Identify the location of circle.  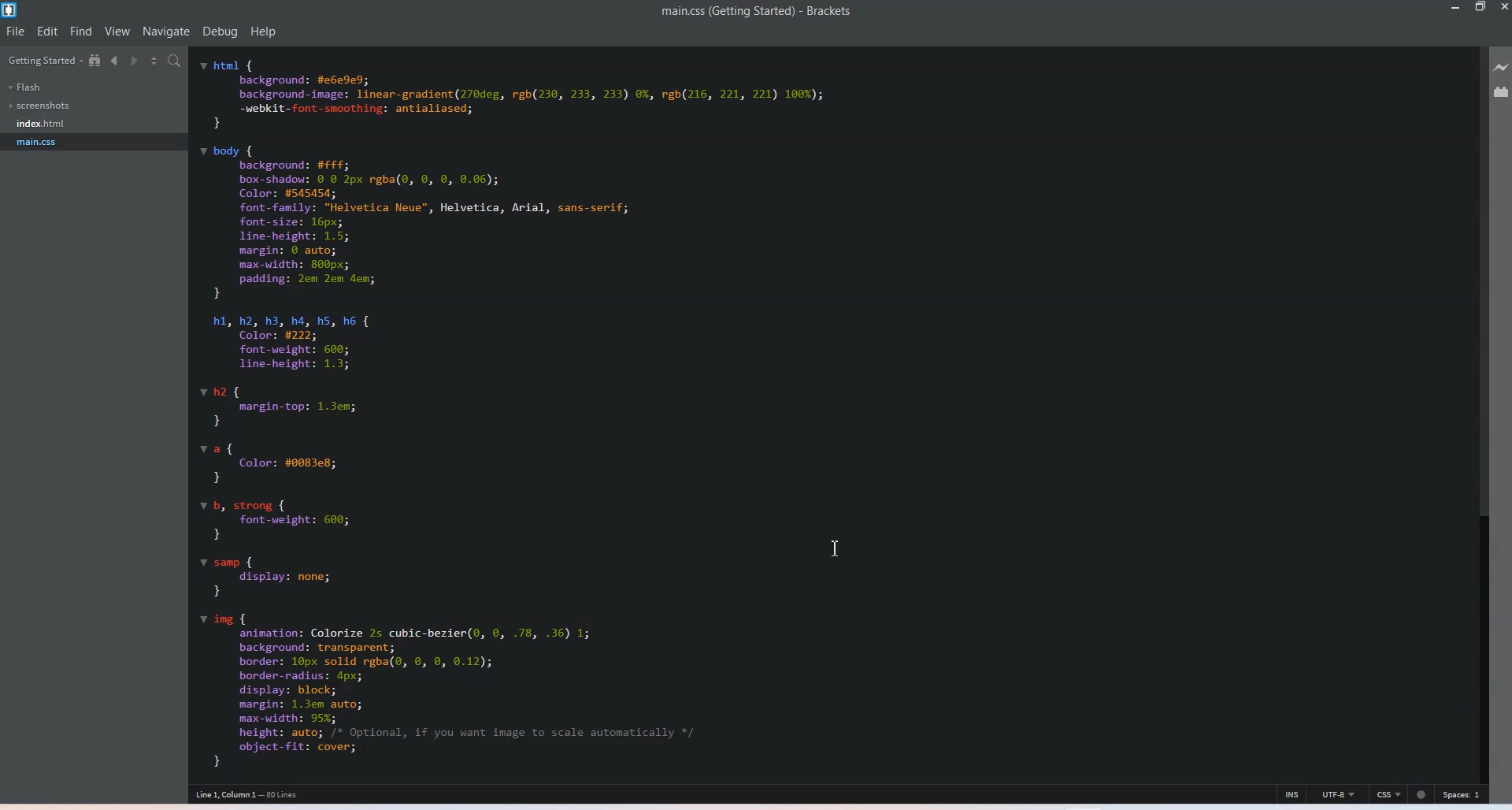
(1421, 794).